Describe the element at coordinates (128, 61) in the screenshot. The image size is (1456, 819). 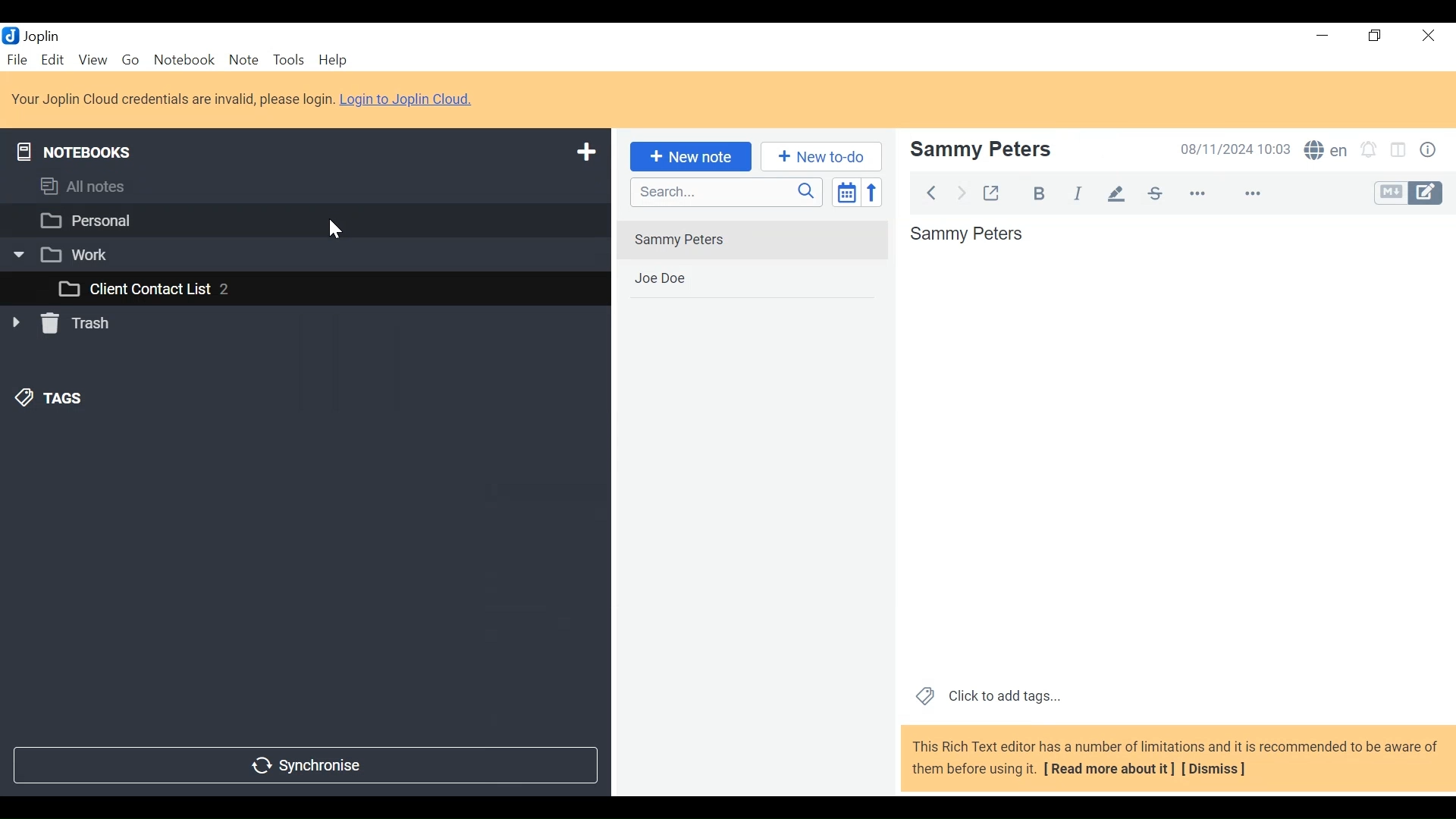
I see `Go` at that location.